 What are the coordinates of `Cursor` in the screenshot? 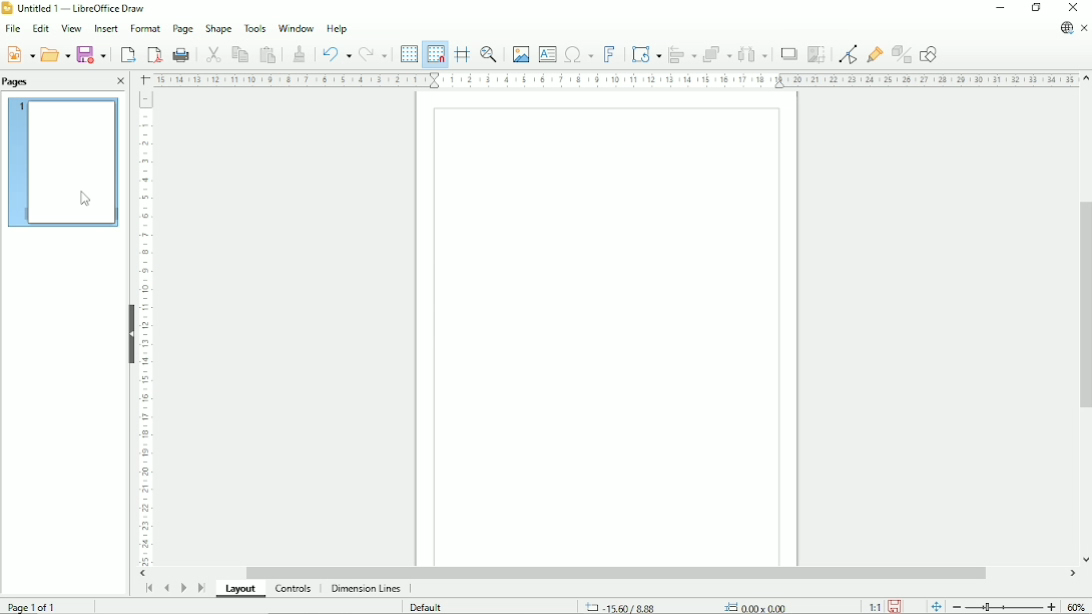 It's located at (87, 200).